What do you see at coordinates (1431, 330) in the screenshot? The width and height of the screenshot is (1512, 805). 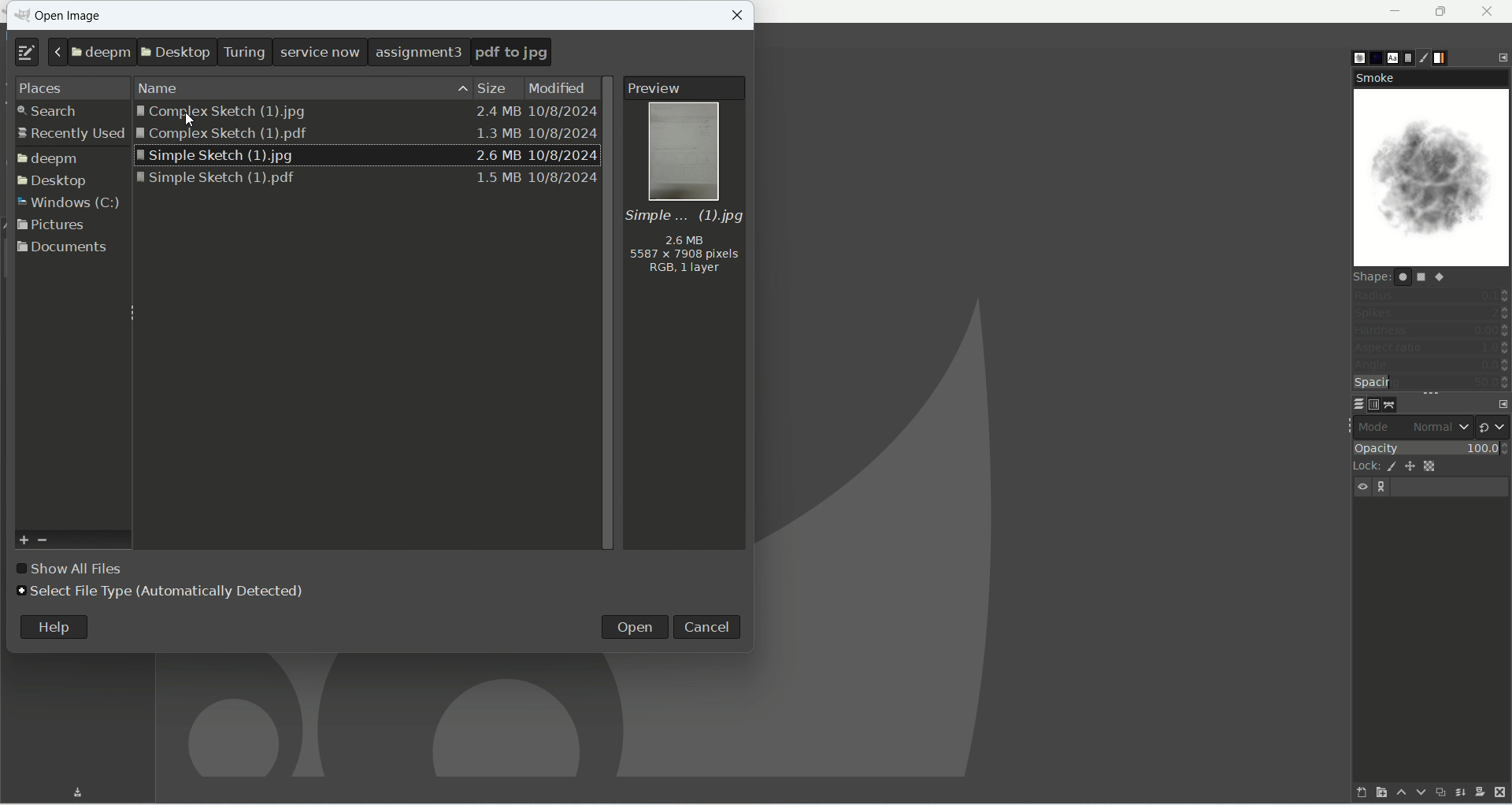 I see `hardness` at bounding box center [1431, 330].